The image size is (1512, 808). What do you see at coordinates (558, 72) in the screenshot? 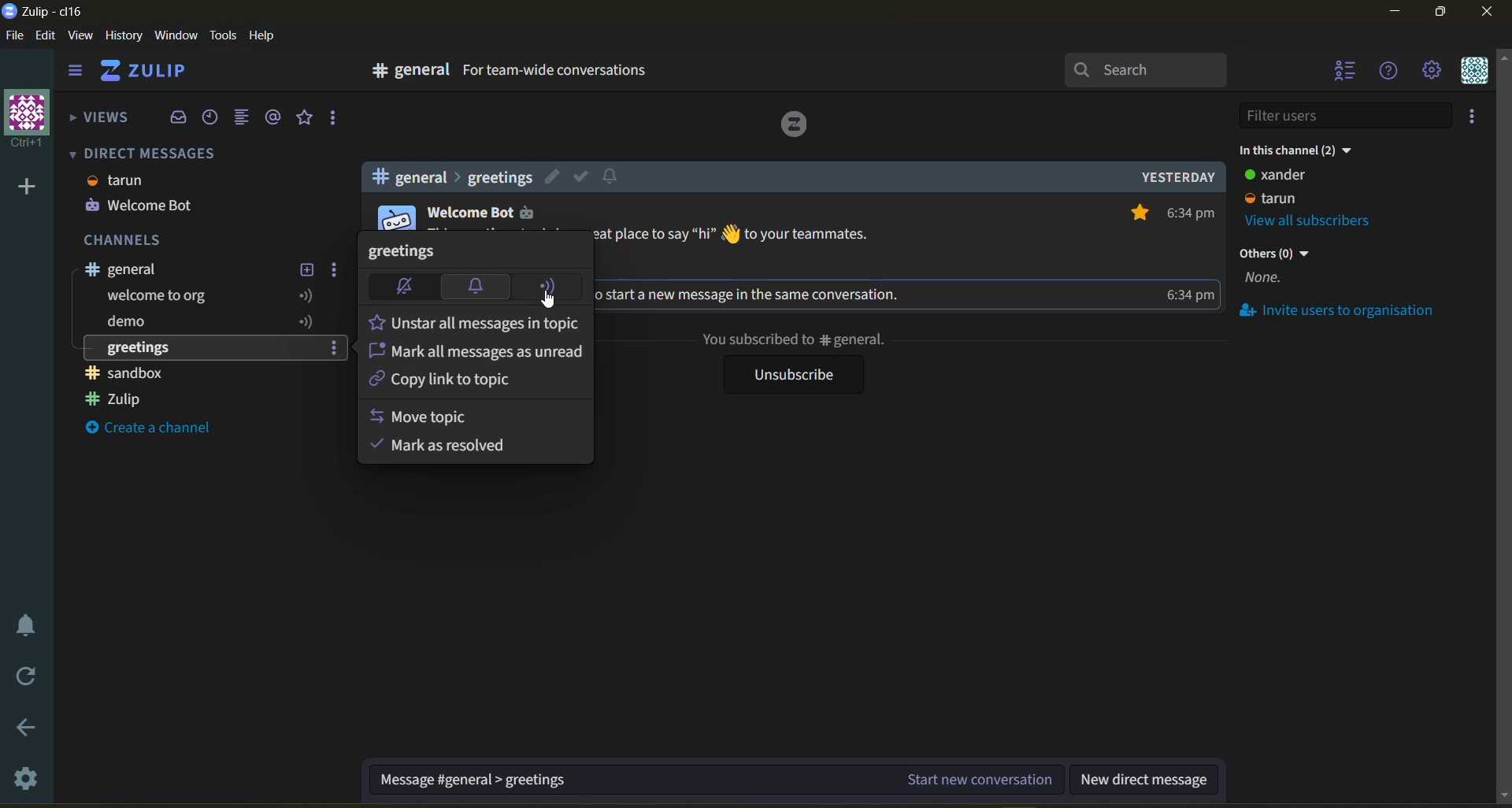
I see `for team-wide conversations` at bounding box center [558, 72].